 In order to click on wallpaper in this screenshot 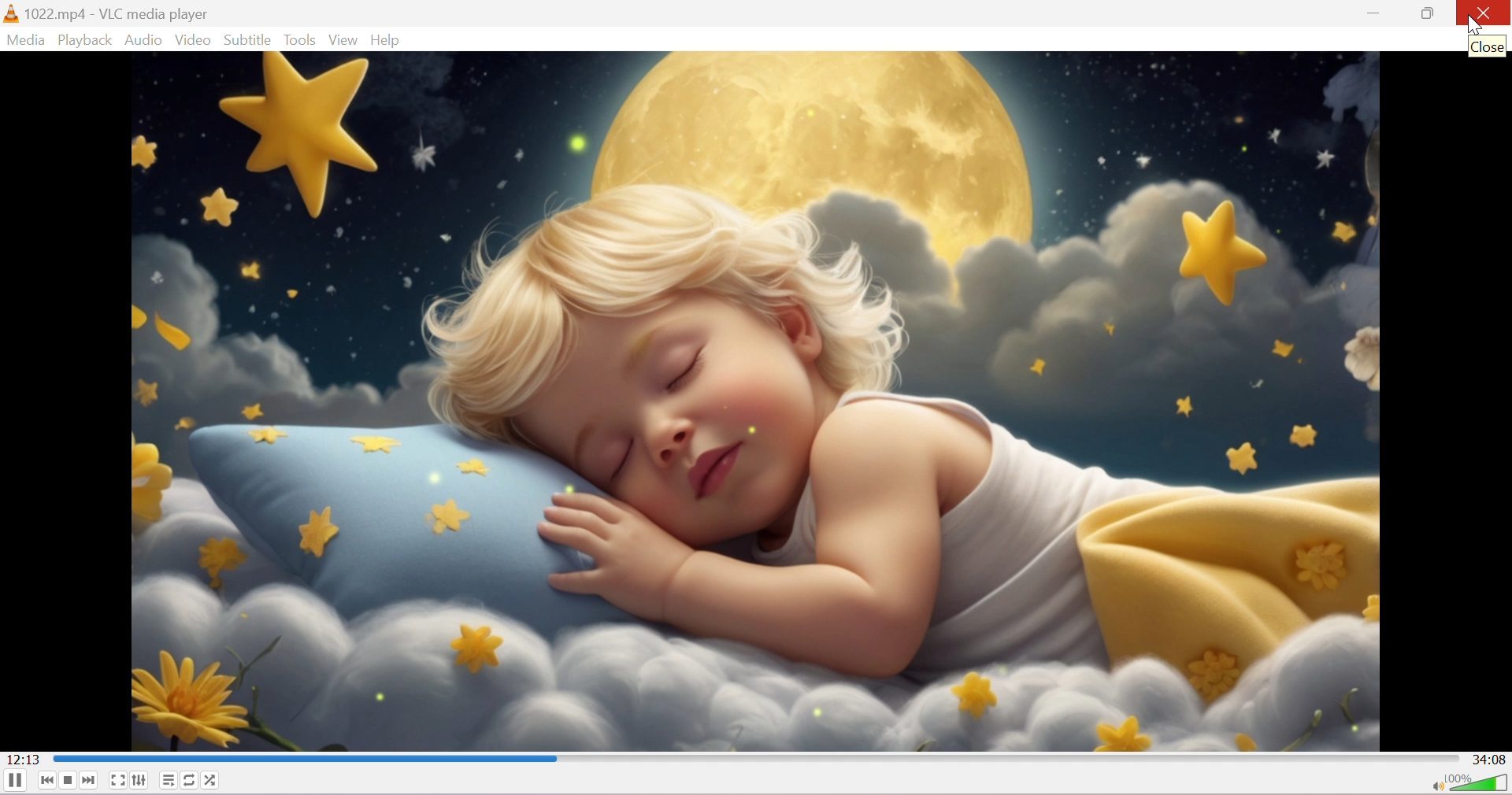, I will do `click(755, 401)`.